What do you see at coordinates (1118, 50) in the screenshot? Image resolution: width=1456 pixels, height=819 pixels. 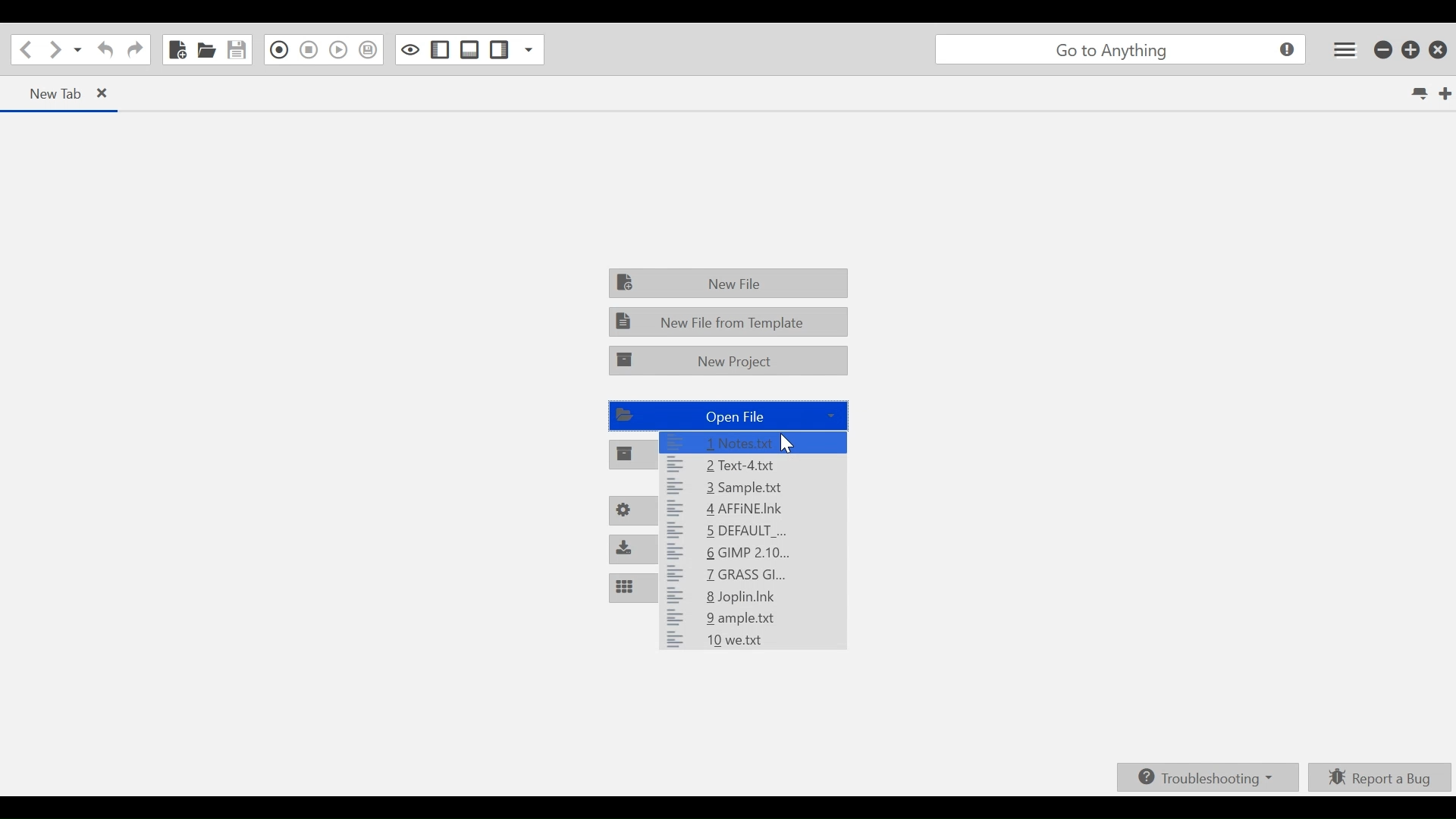 I see `go to anything` at bounding box center [1118, 50].